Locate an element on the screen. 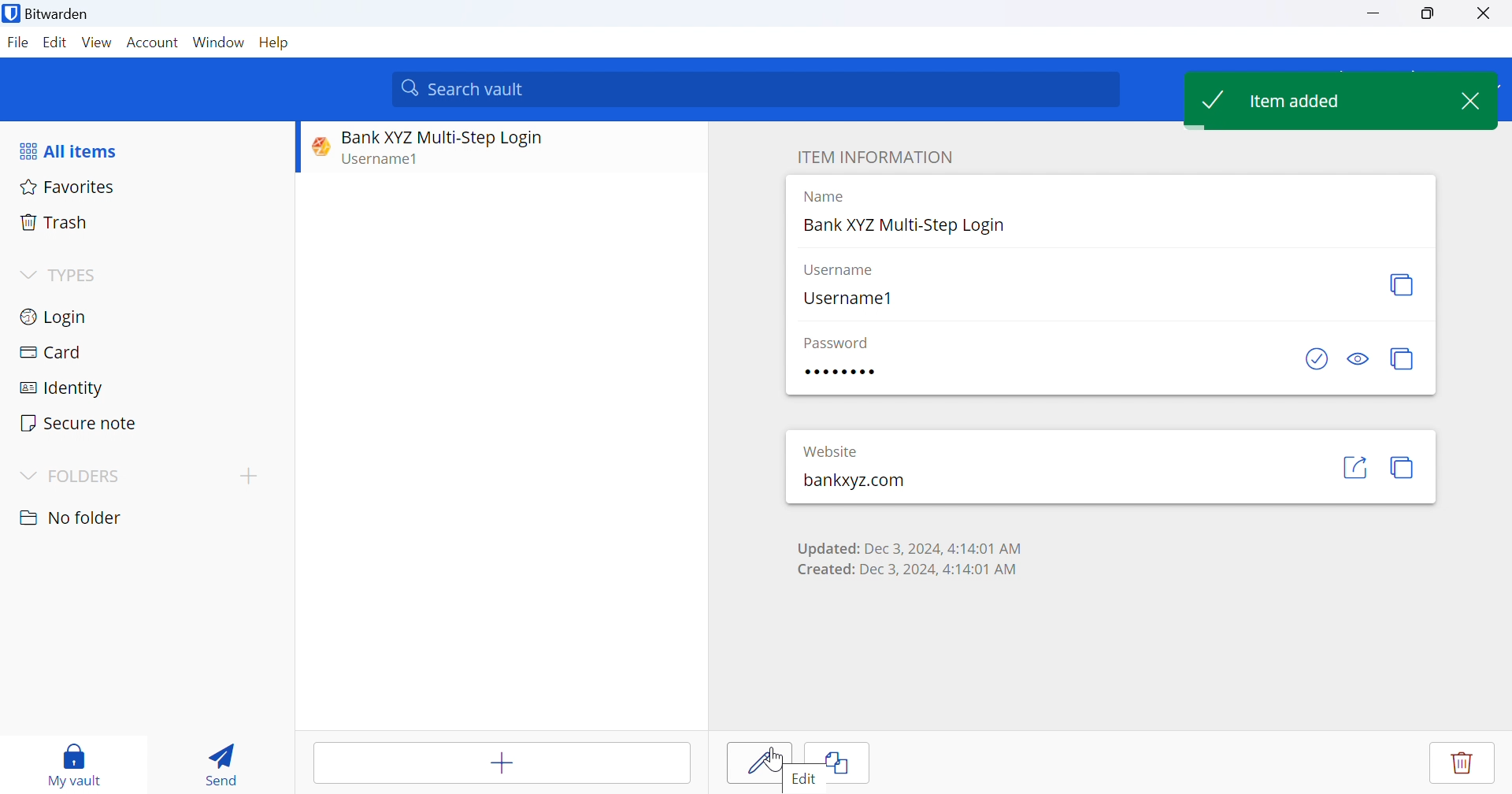  Edit is located at coordinates (807, 781).